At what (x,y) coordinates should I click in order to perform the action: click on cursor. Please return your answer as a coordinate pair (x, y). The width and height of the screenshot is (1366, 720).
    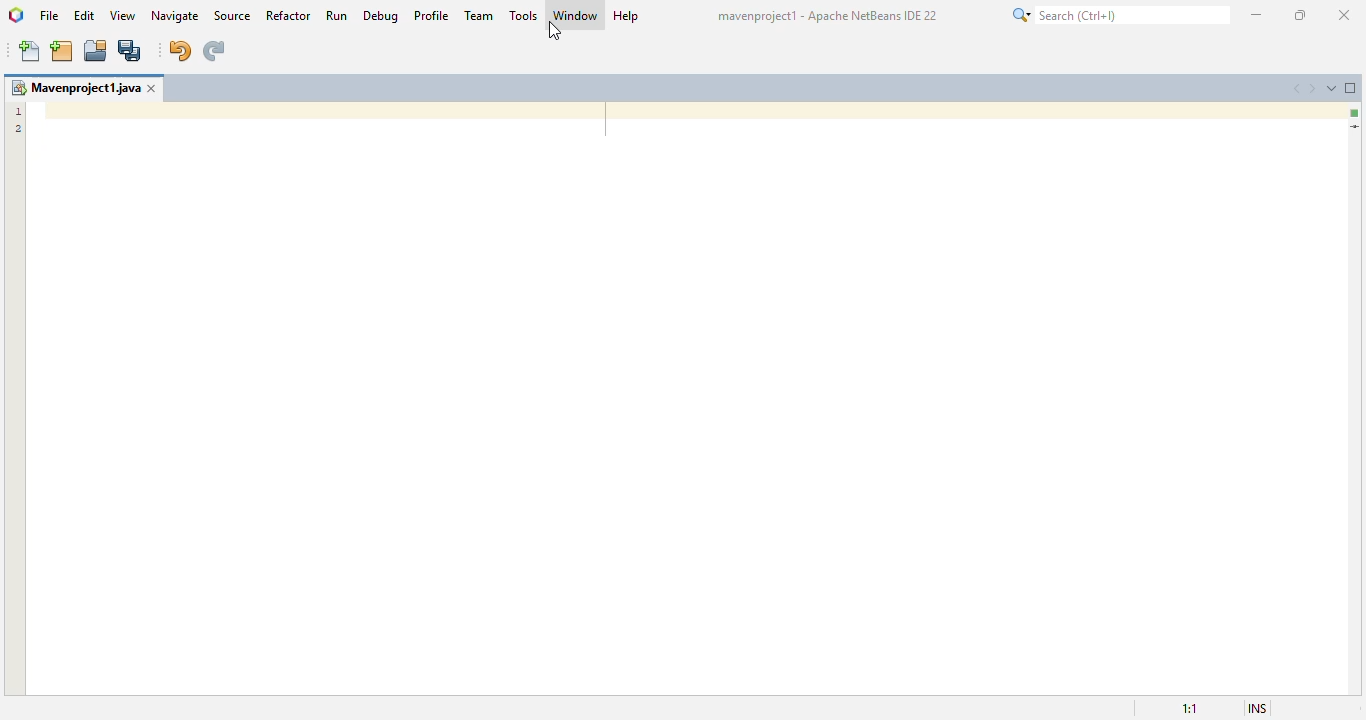
    Looking at the image, I should click on (553, 31).